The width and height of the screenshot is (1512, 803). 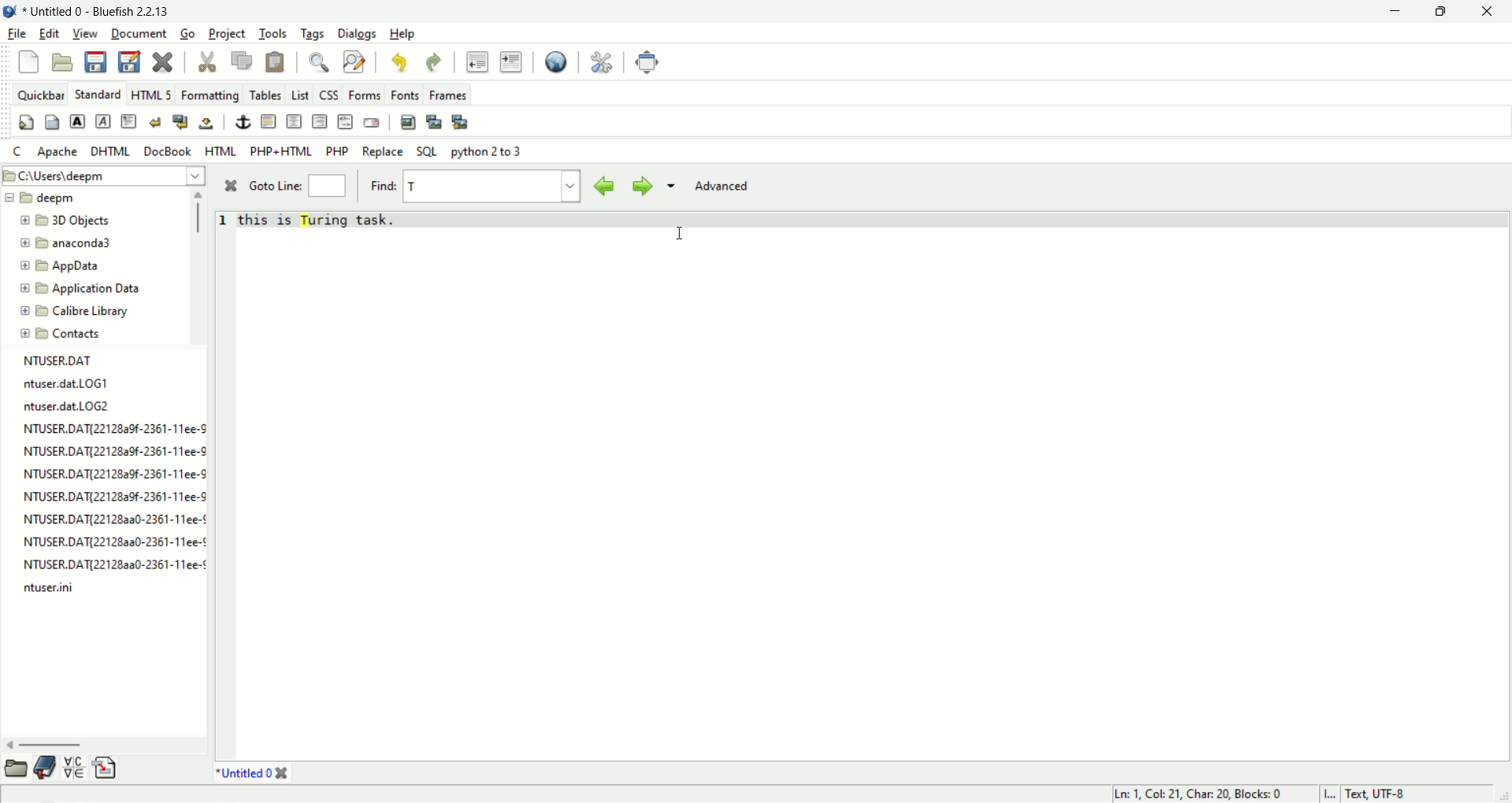 What do you see at coordinates (602, 62) in the screenshot?
I see `preferences` at bounding box center [602, 62].